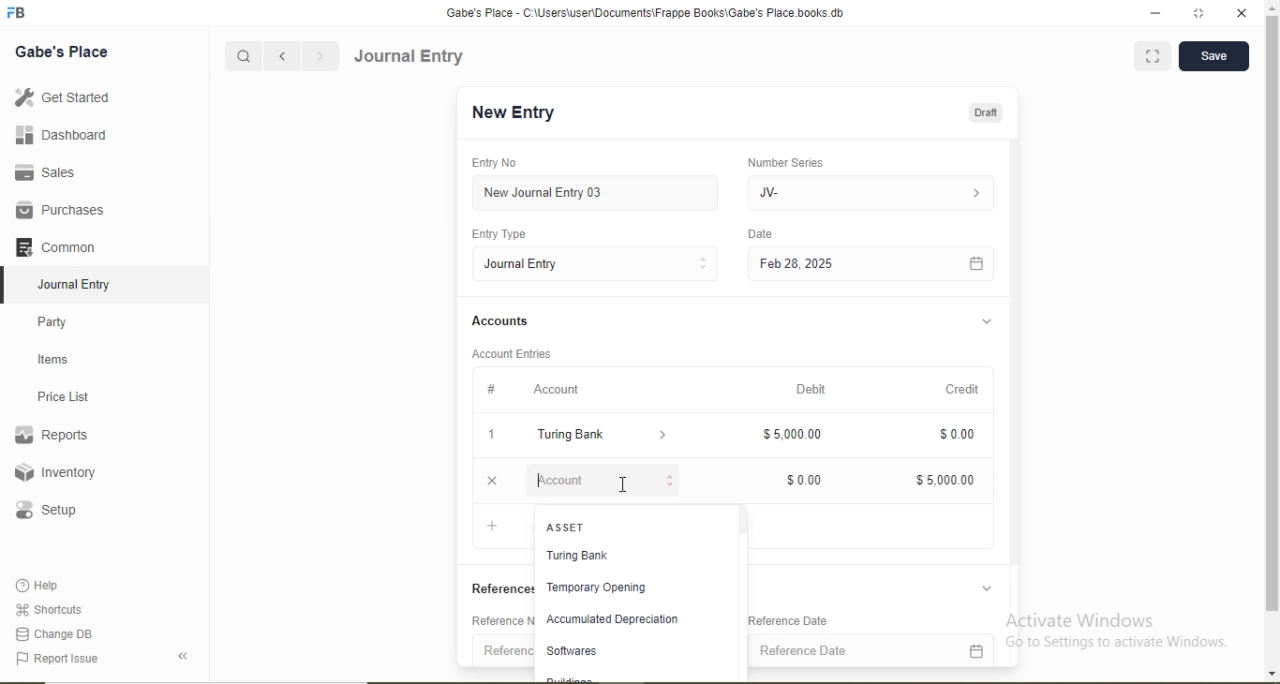 The height and width of the screenshot is (684, 1280). I want to click on Accounts, so click(503, 320).